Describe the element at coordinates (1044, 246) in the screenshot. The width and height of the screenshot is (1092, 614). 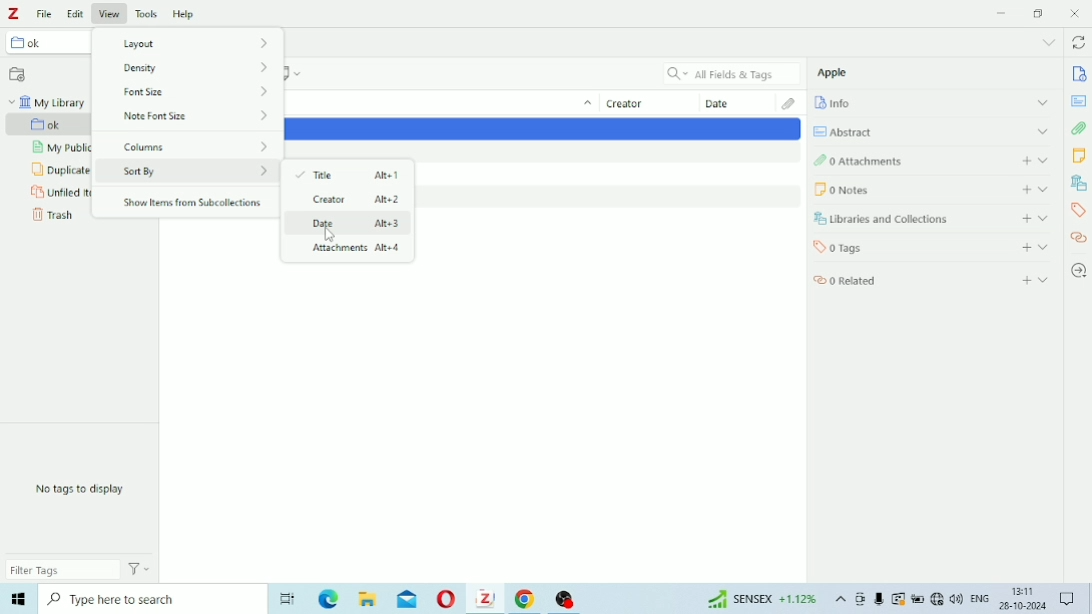
I see `expand` at that location.